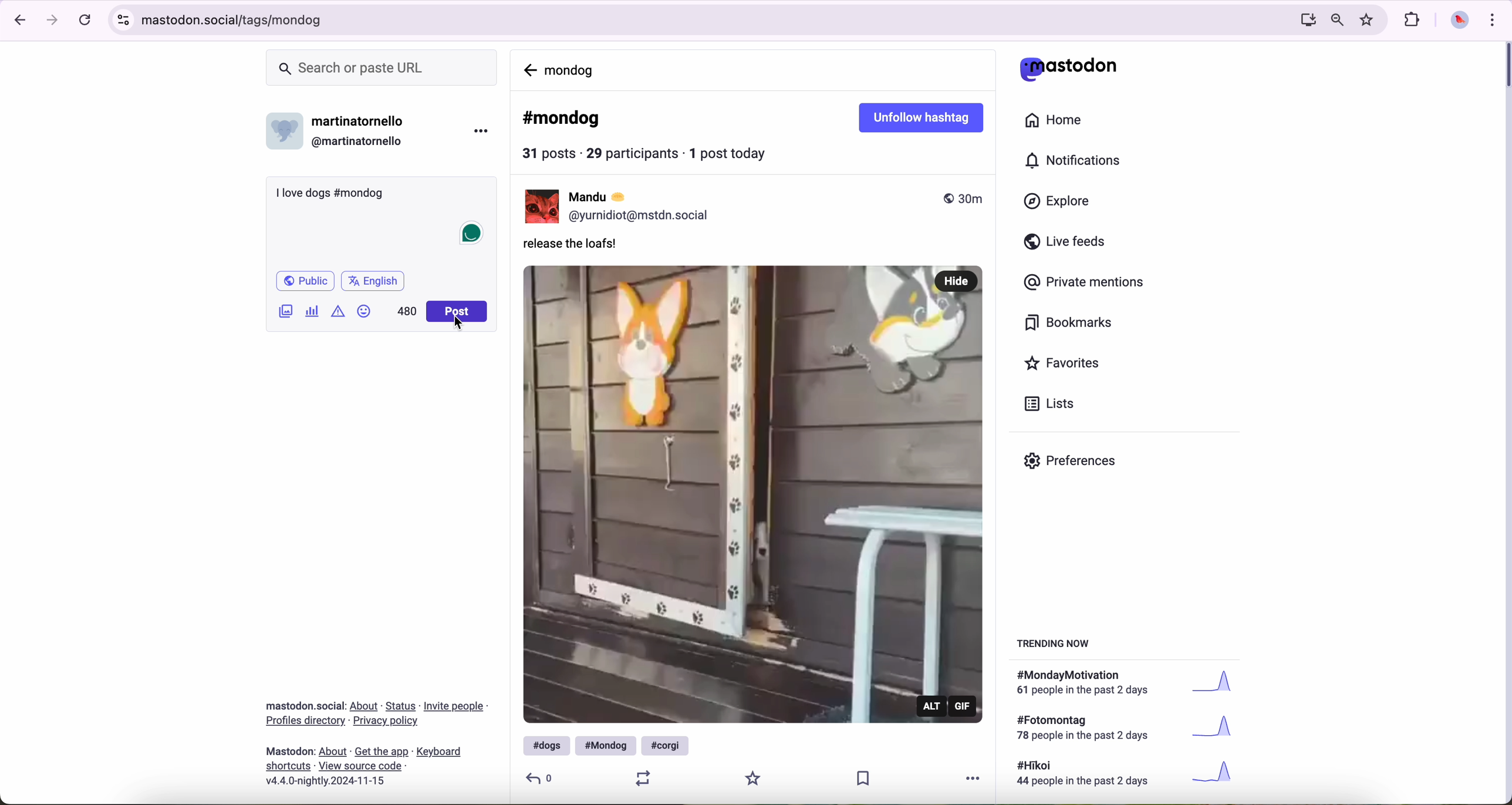 Image resolution: width=1512 pixels, height=805 pixels. I want to click on graph, so click(1221, 685).